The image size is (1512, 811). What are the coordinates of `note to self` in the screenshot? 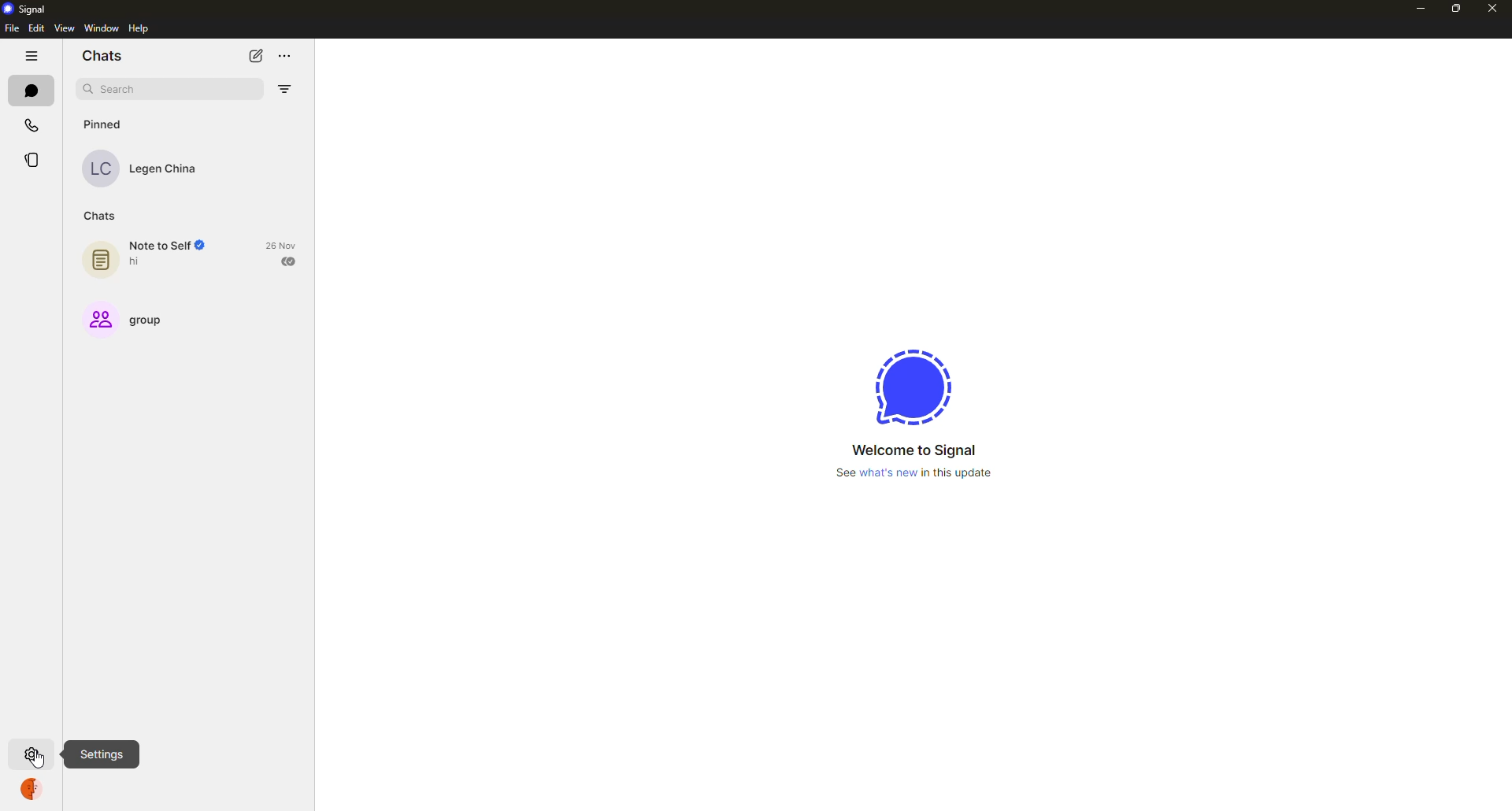 It's located at (167, 246).